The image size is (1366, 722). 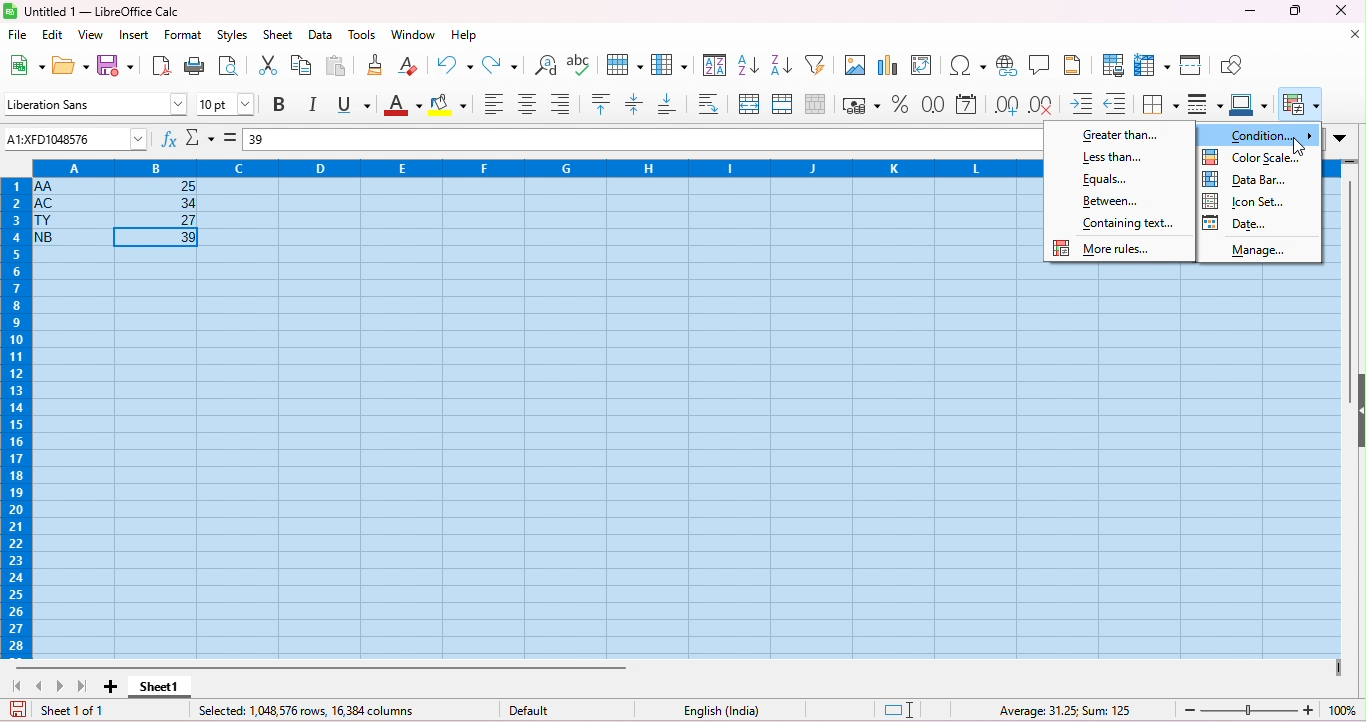 I want to click on containing text, so click(x=1127, y=224).